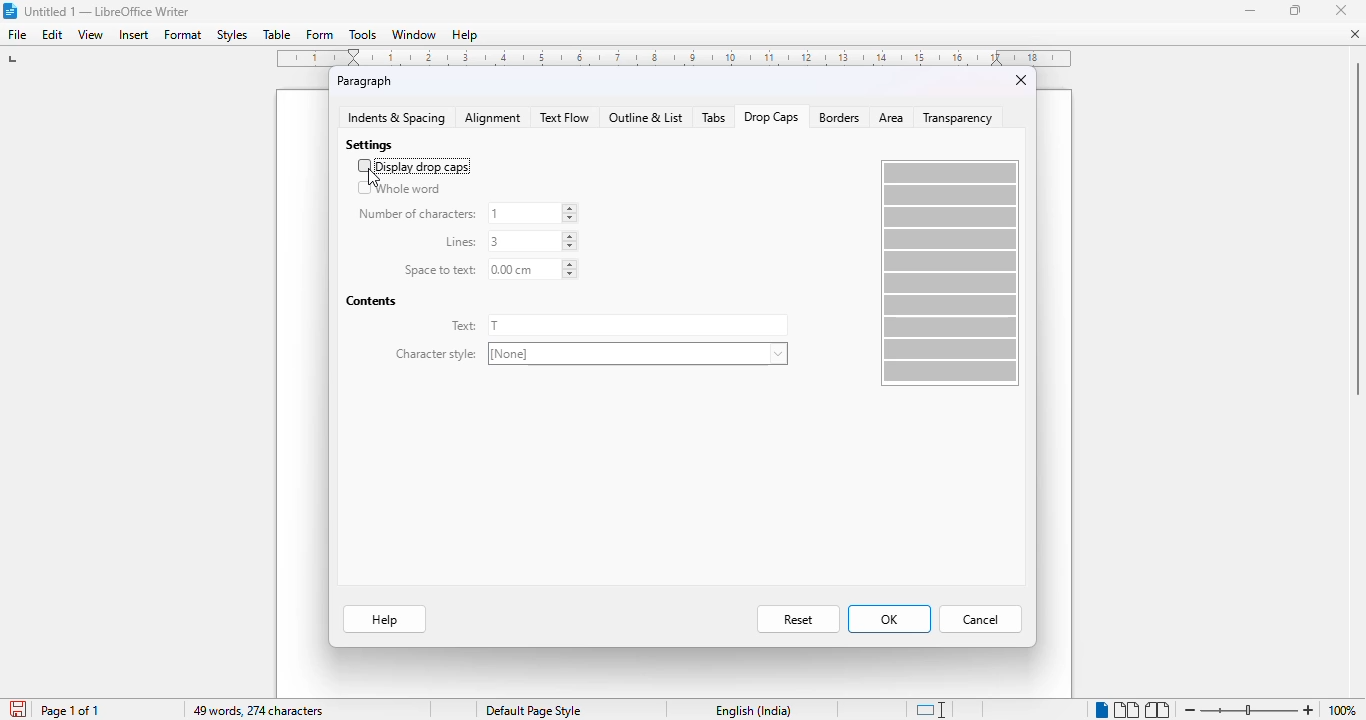  Describe the element at coordinates (466, 35) in the screenshot. I see `help` at that location.